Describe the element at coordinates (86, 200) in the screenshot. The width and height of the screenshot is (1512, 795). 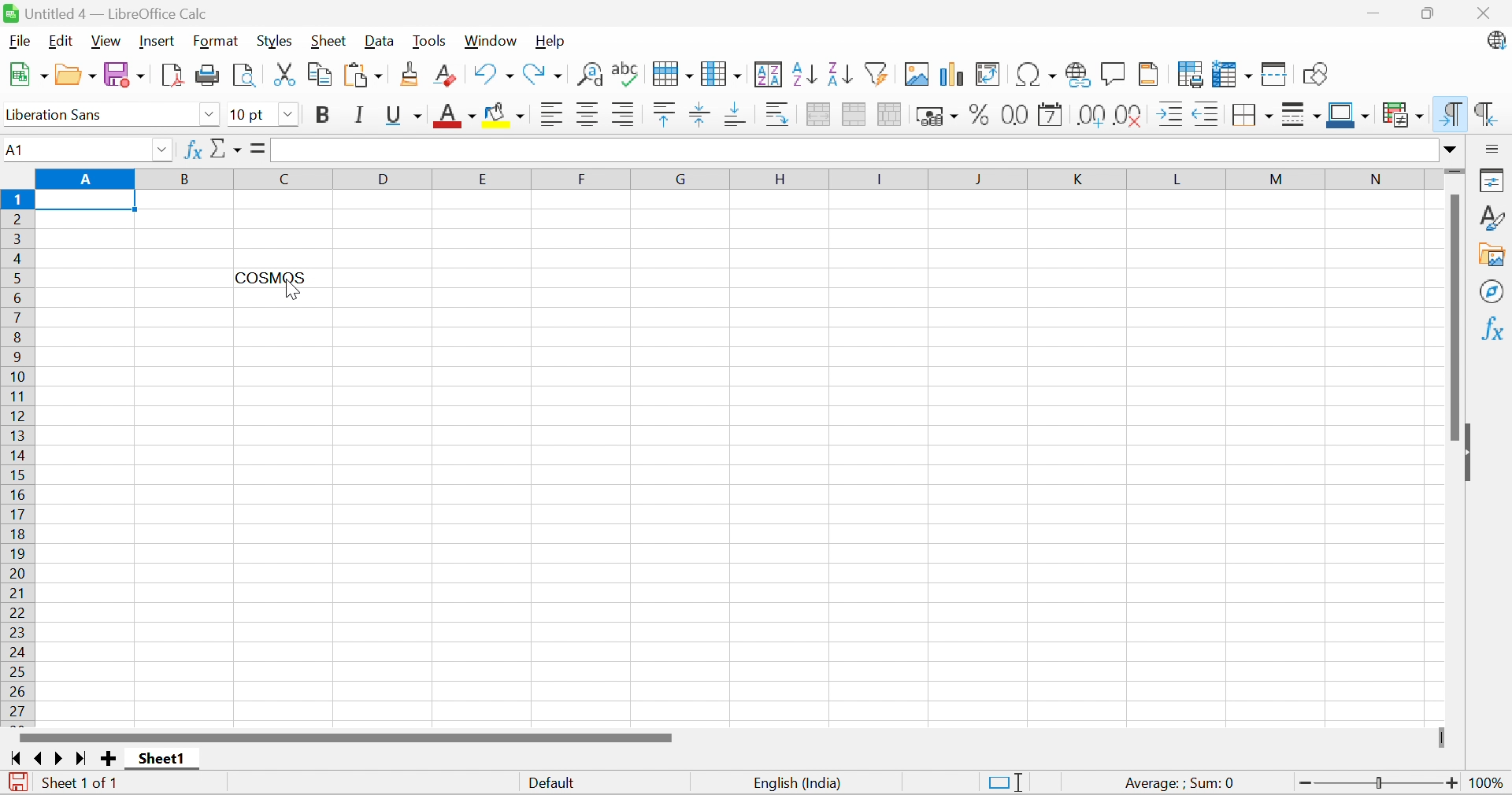
I see `selected cell` at that location.